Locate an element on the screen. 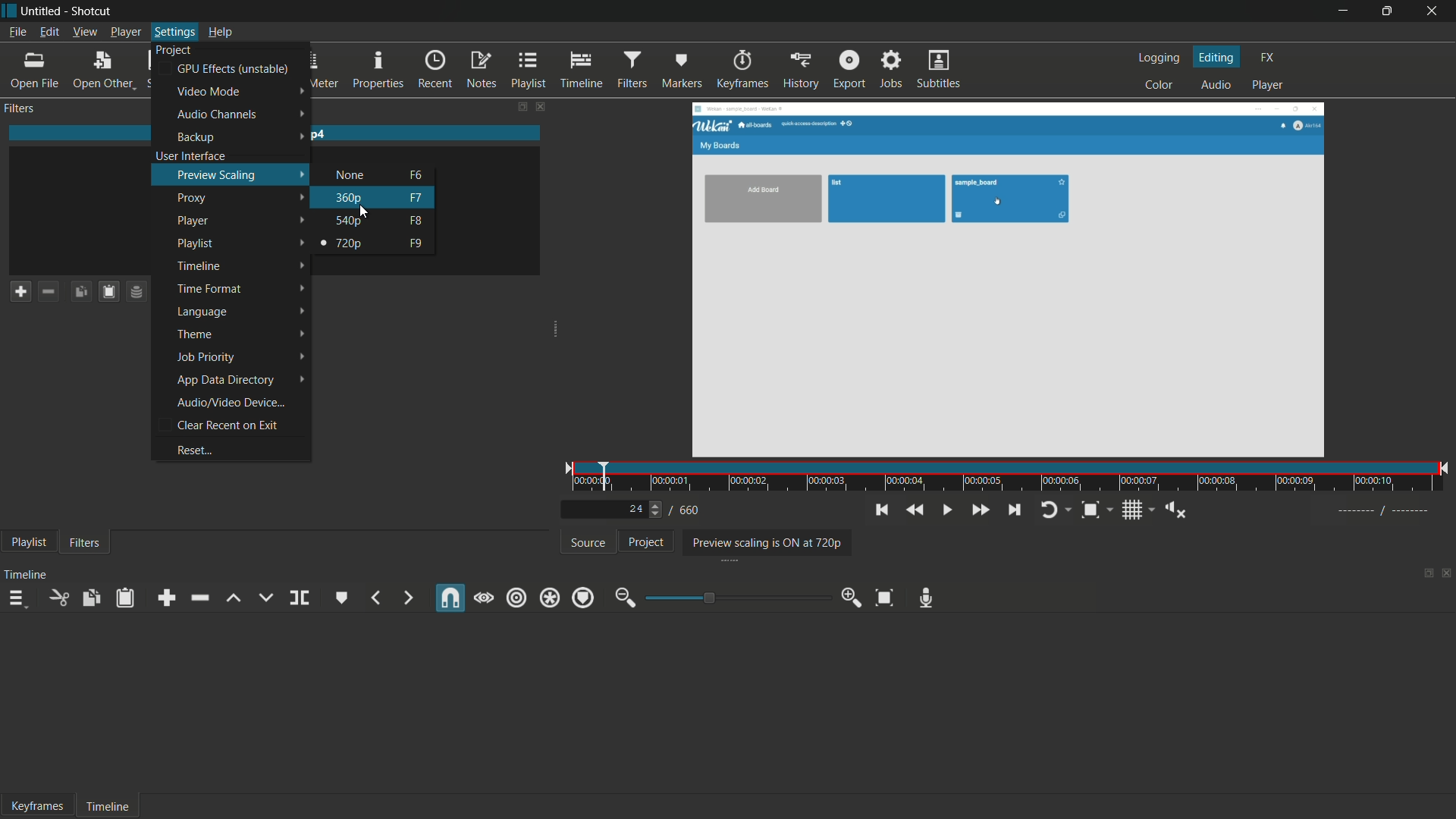  settings menu is located at coordinates (174, 32).